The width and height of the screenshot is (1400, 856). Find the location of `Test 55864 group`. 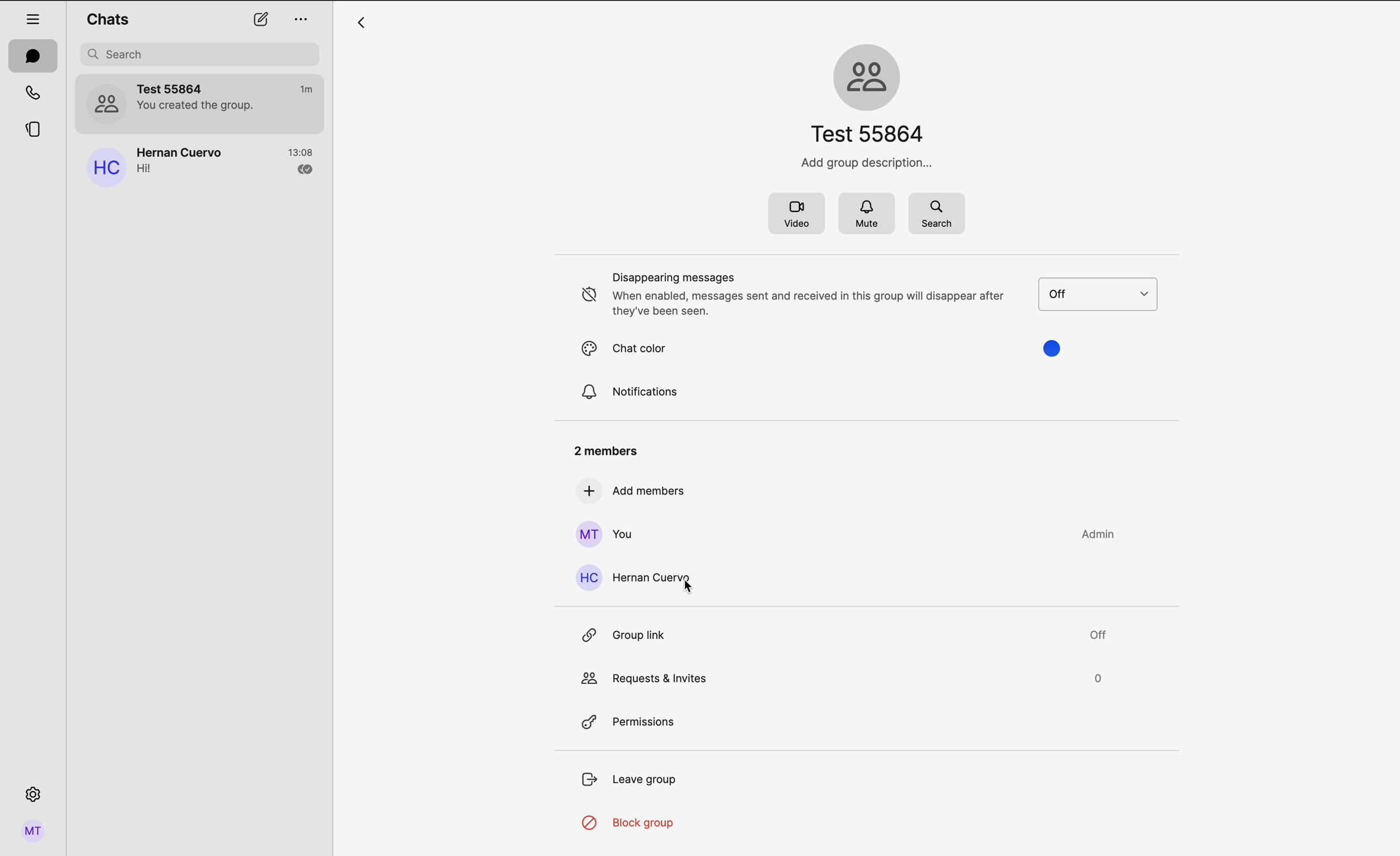

Test 55864 group is located at coordinates (201, 104).